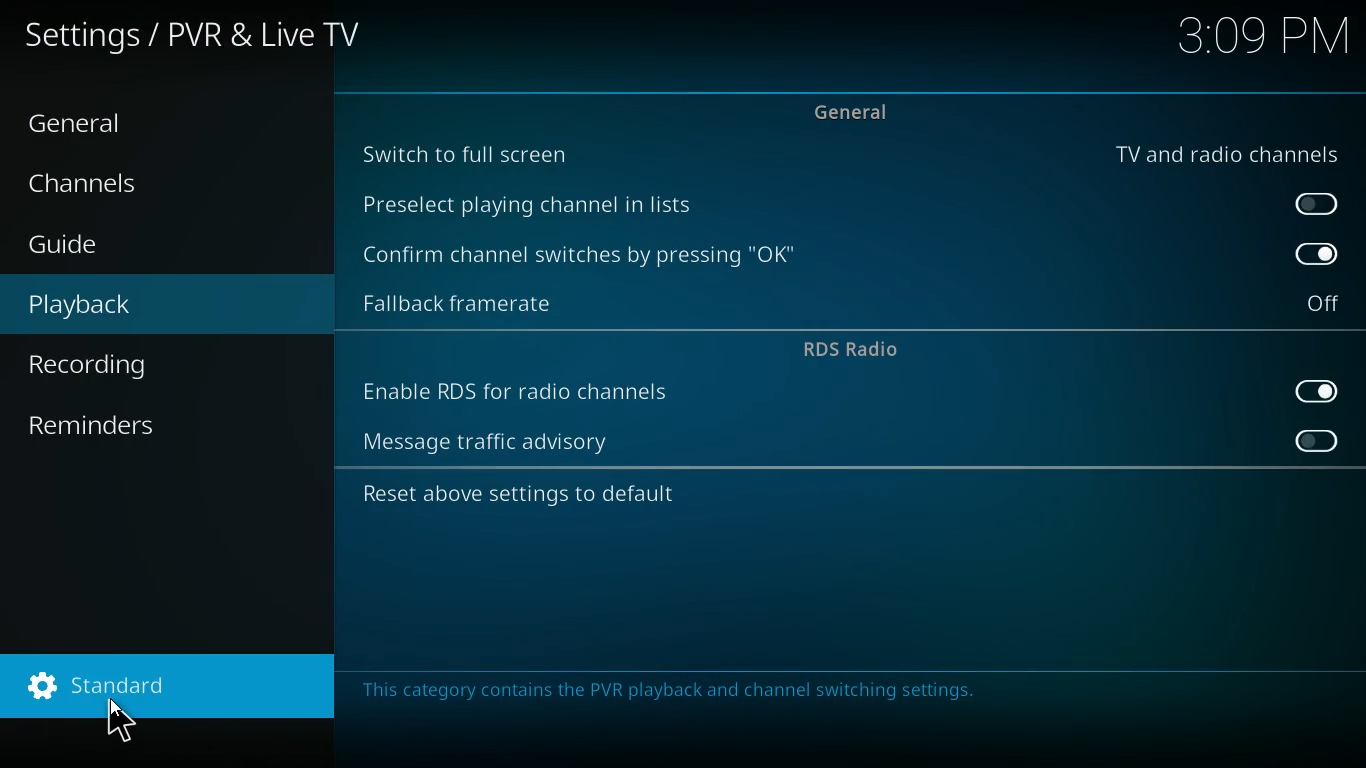  I want to click on on, so click(1314, 253).